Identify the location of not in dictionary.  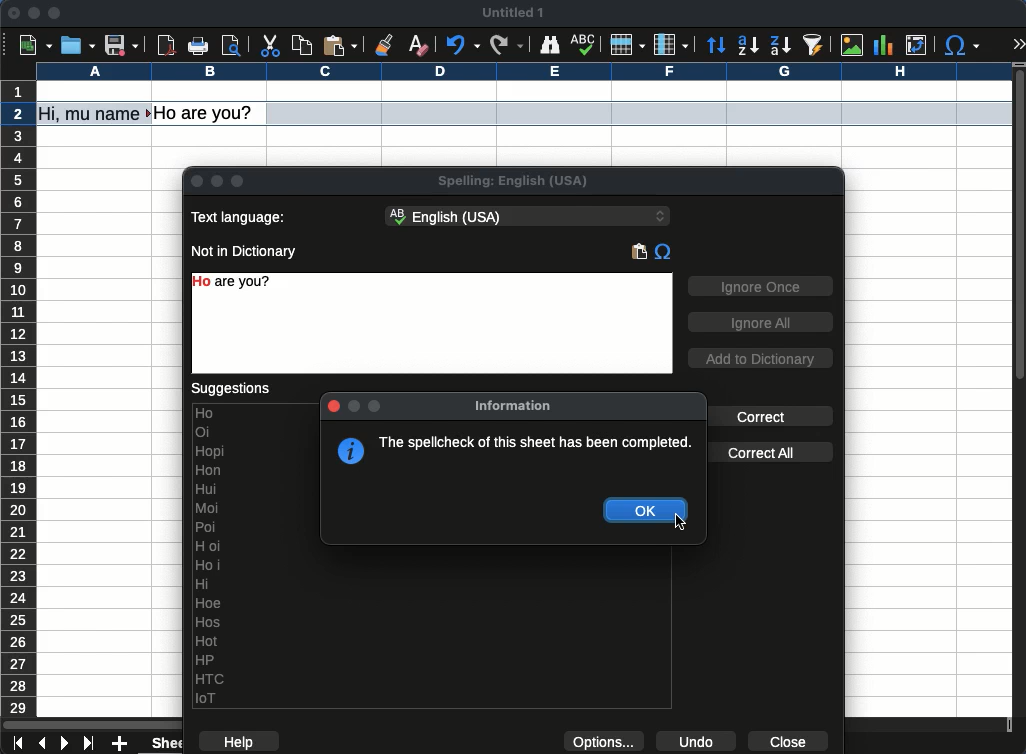
(244, 252).